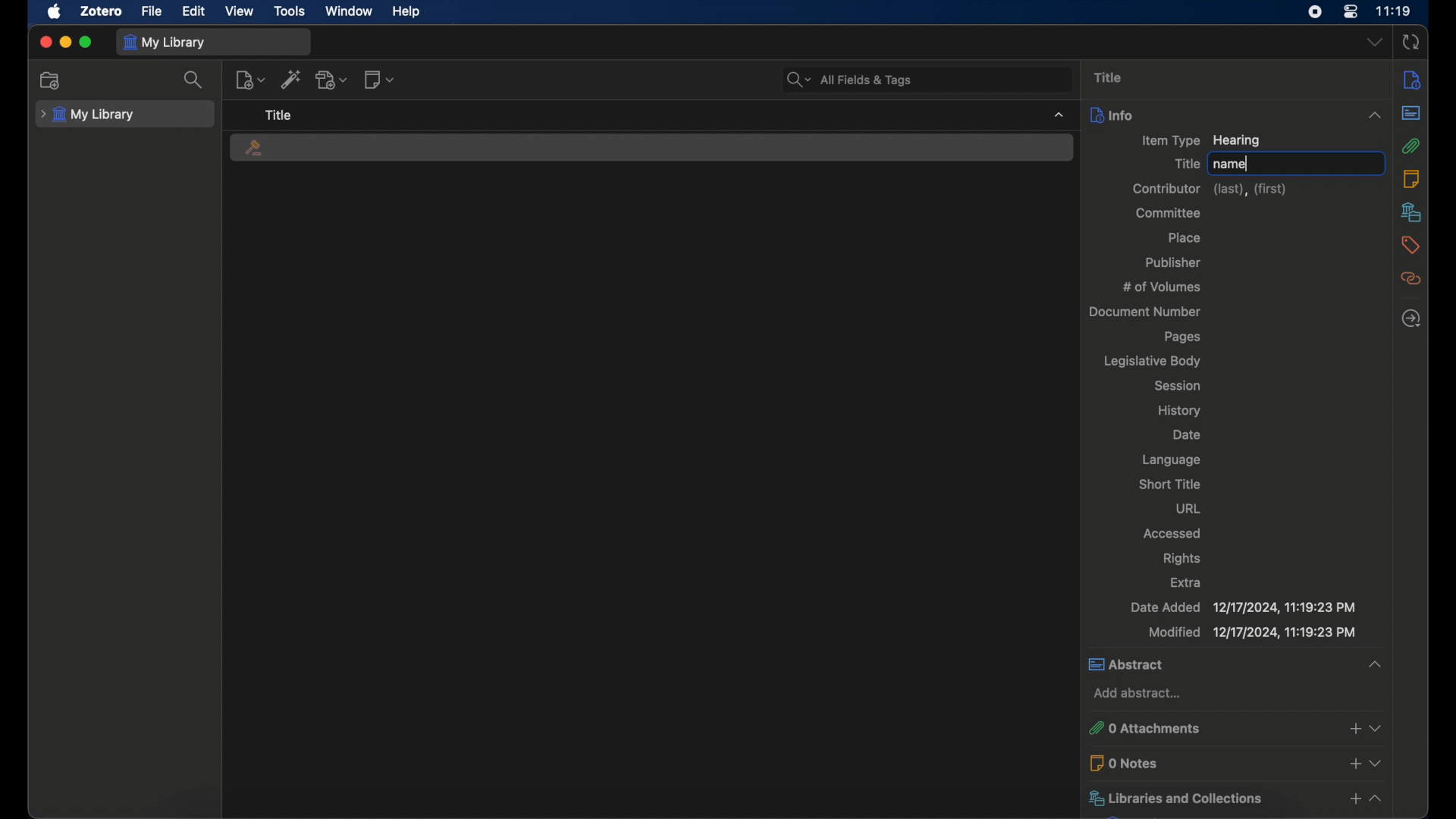 The width and height of the screenshot is (1456, 819). Describe the element at coordinates (1237, 762) in the screenshot. I see `0 notes` at that location.